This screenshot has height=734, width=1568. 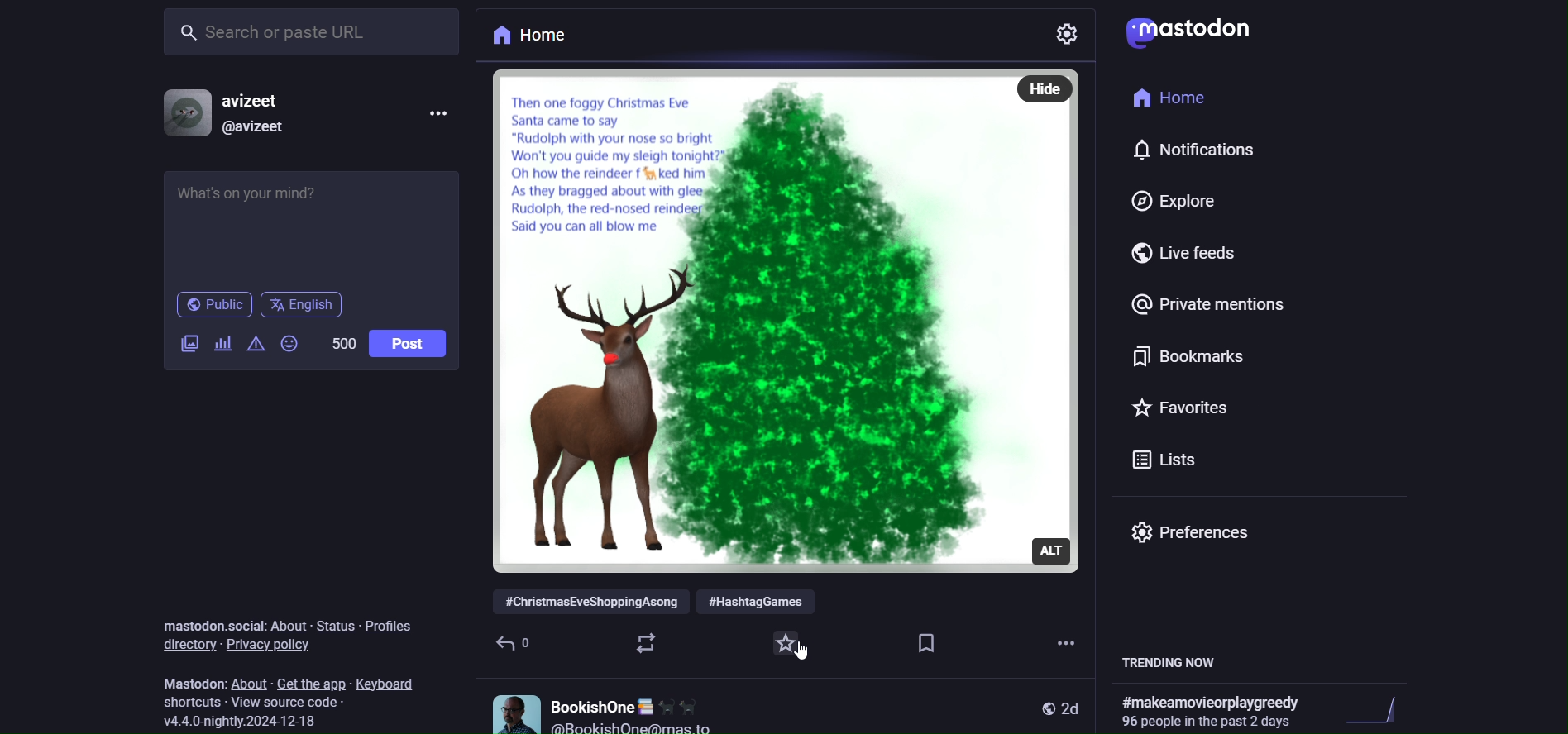 What do you see at coordinates (1167, 456) in the screenshot?
I see `lists` at bounding box center [1167, 456].